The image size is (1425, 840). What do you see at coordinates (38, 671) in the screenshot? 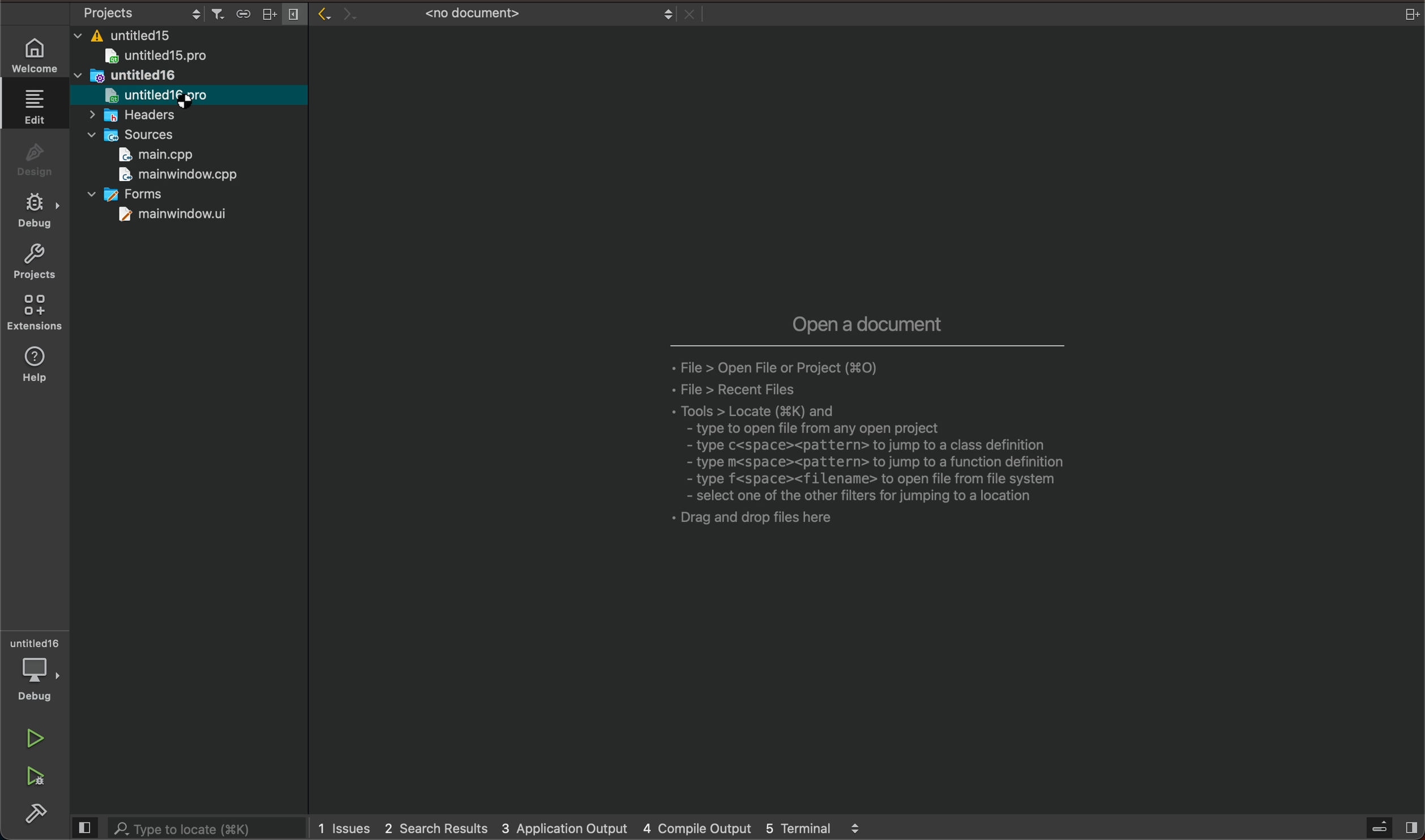
I see `debugger` at bounding box center [38, 671].